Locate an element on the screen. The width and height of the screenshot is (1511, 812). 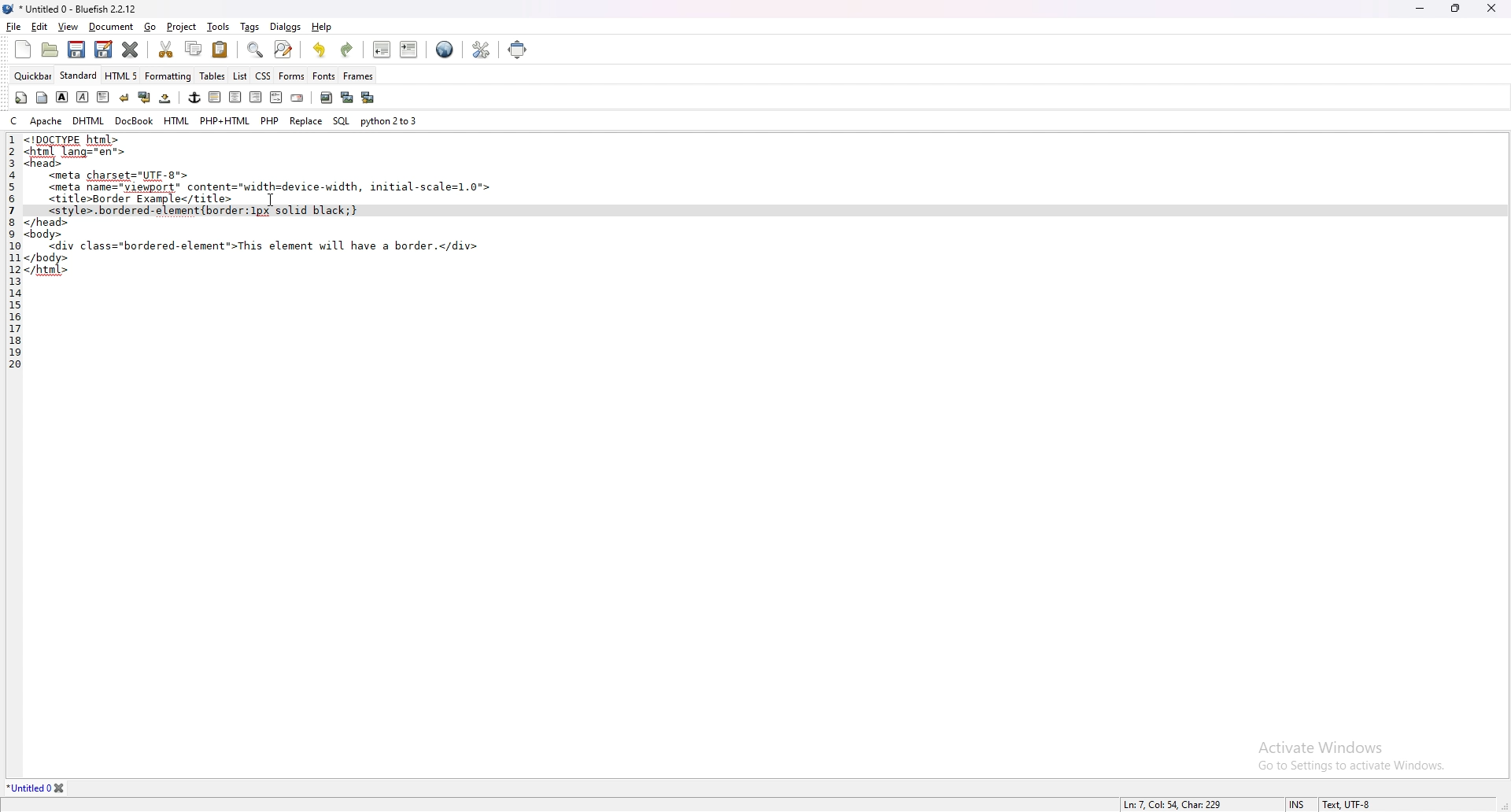
insert image is located at coordinates (327, 98).